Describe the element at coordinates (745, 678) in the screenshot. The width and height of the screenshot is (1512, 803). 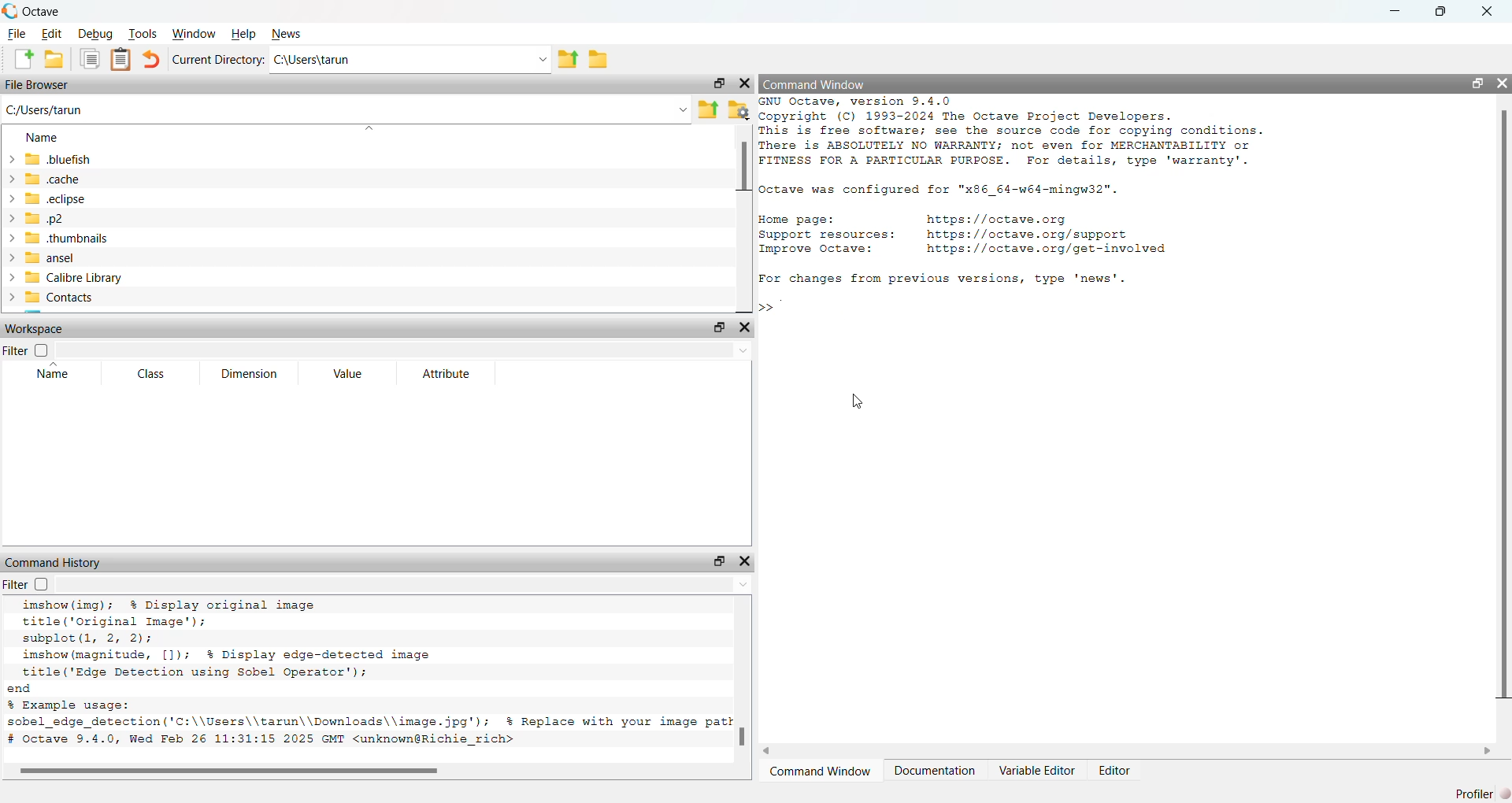
I see `vertical scroll bar` at that location.